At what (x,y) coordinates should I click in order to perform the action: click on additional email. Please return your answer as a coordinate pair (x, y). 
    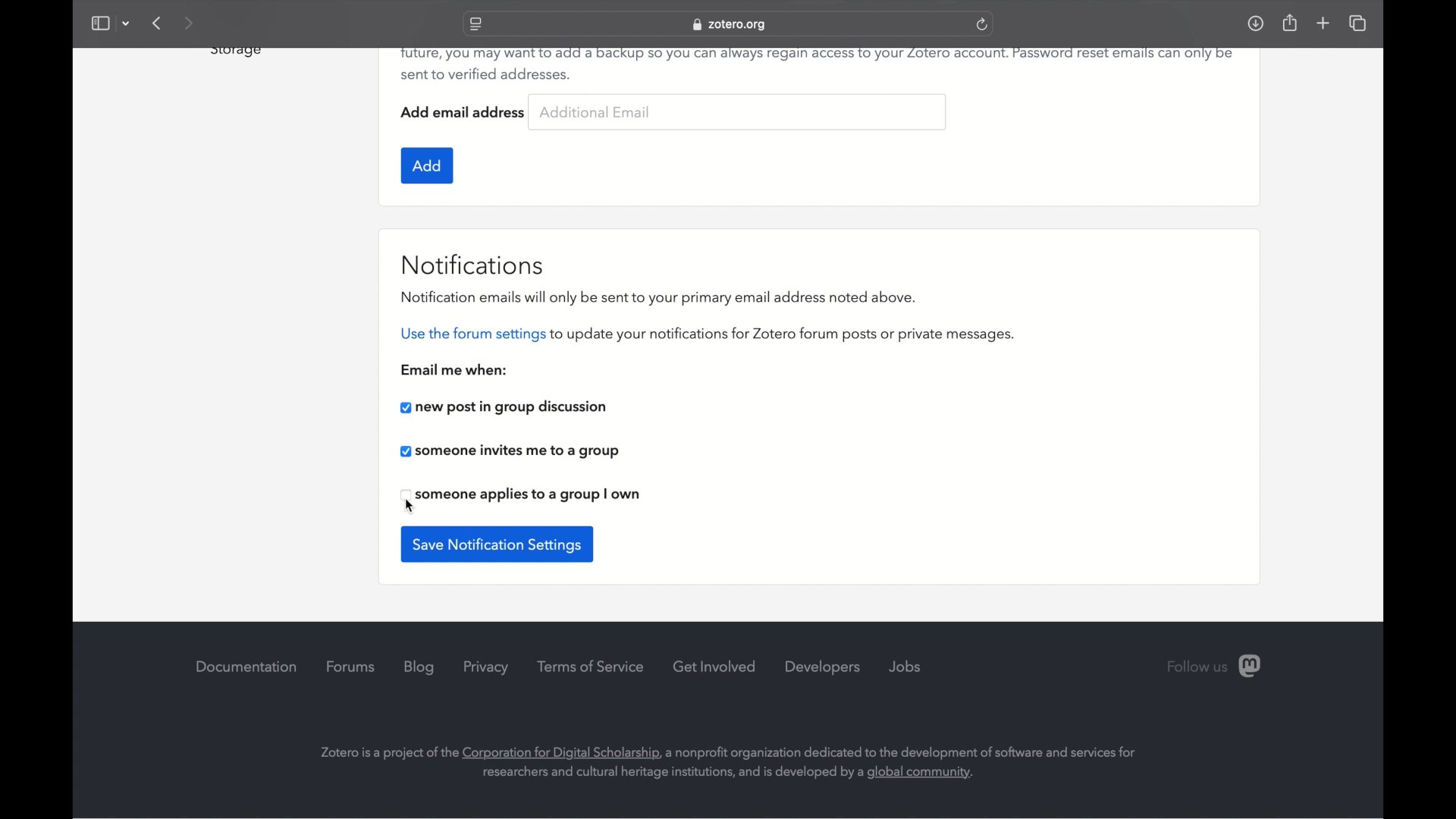
    Looking at the image, I should click on (595, 109).